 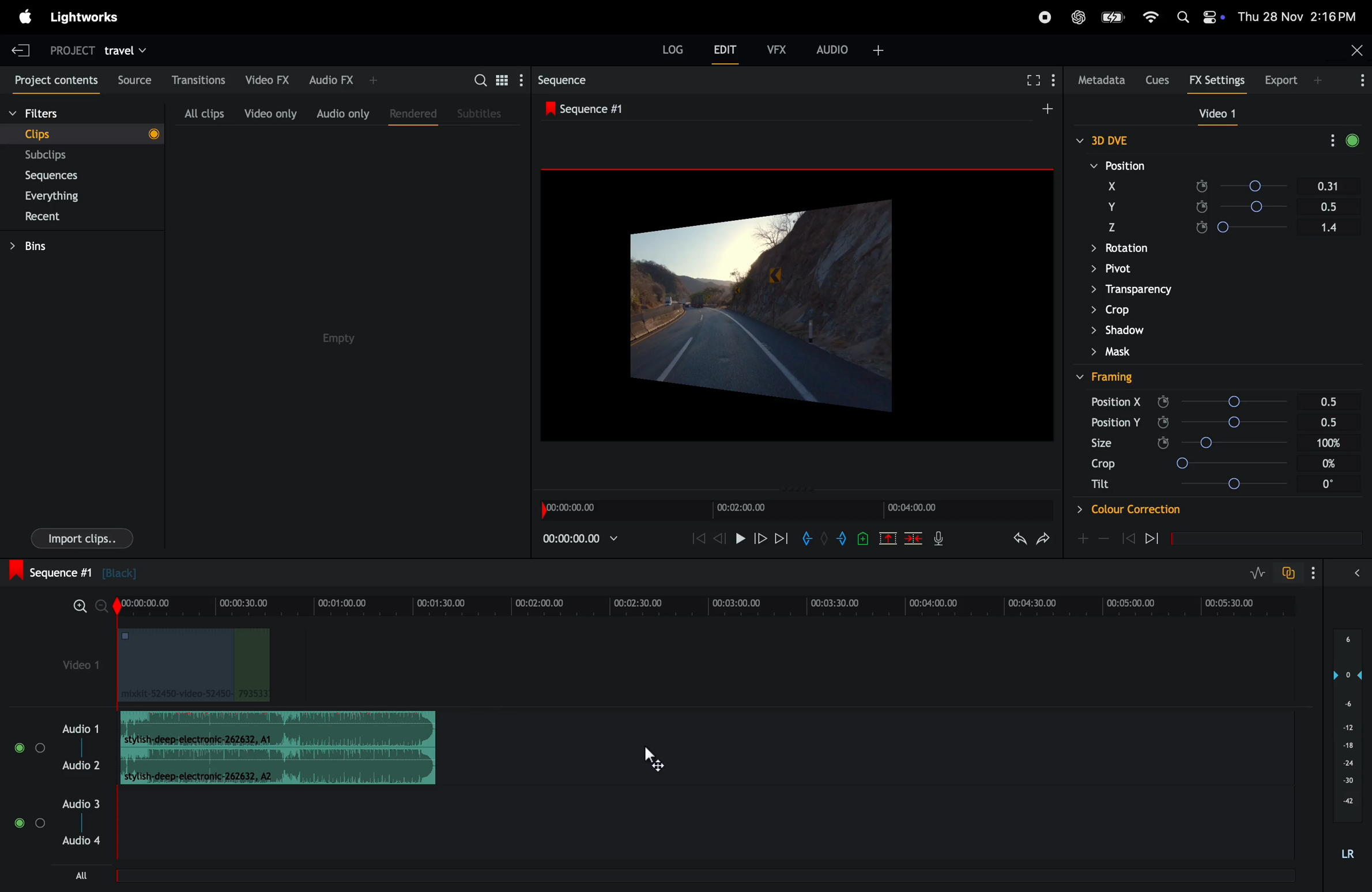 I want to click on jump to next key frame, so click(x=1162, y=539).